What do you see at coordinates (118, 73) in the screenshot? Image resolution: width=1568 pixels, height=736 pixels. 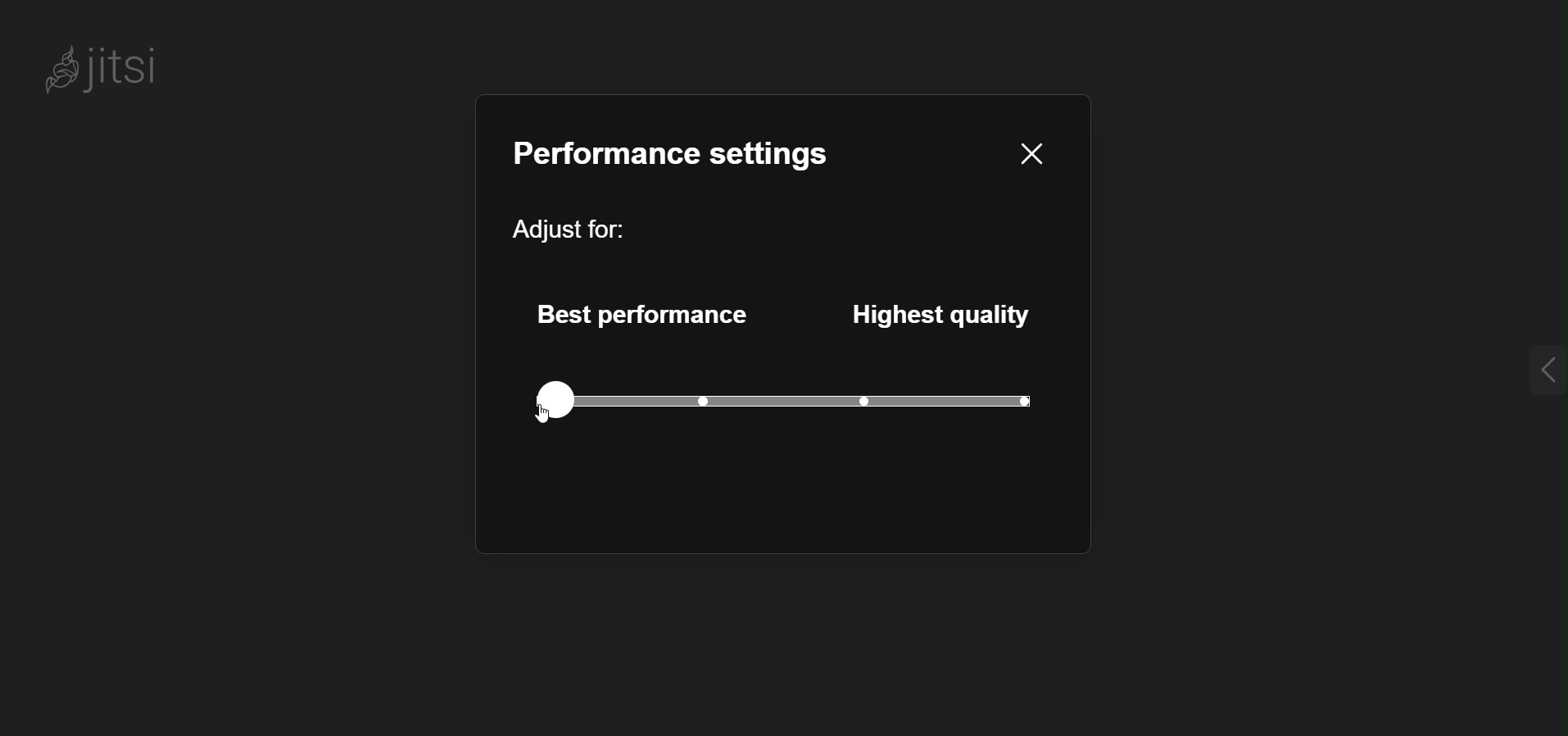 I see `jitsi` at bounding box center [118, 73].